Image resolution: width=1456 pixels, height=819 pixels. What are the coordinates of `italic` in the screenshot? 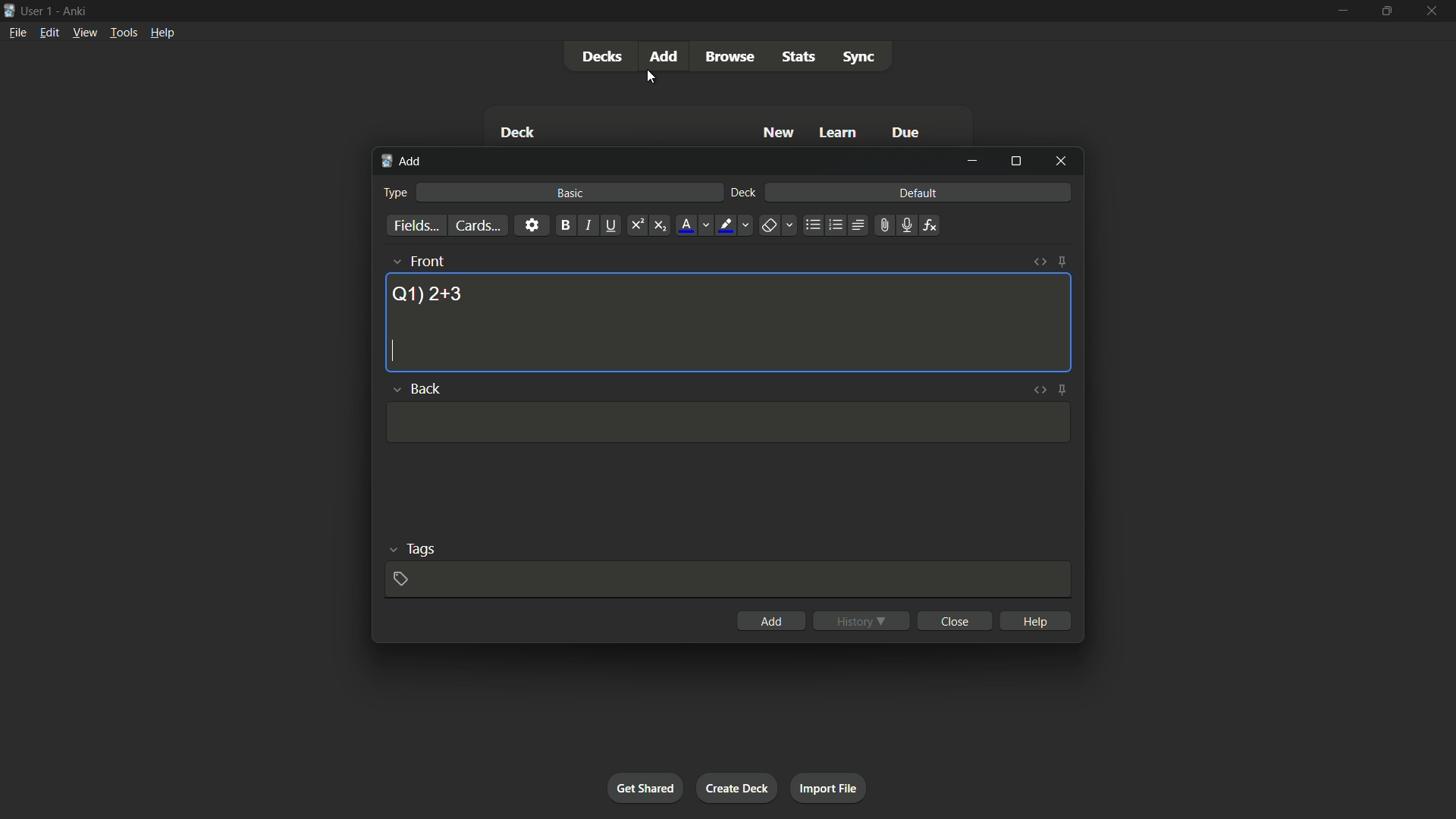 It's located at (587, 225).